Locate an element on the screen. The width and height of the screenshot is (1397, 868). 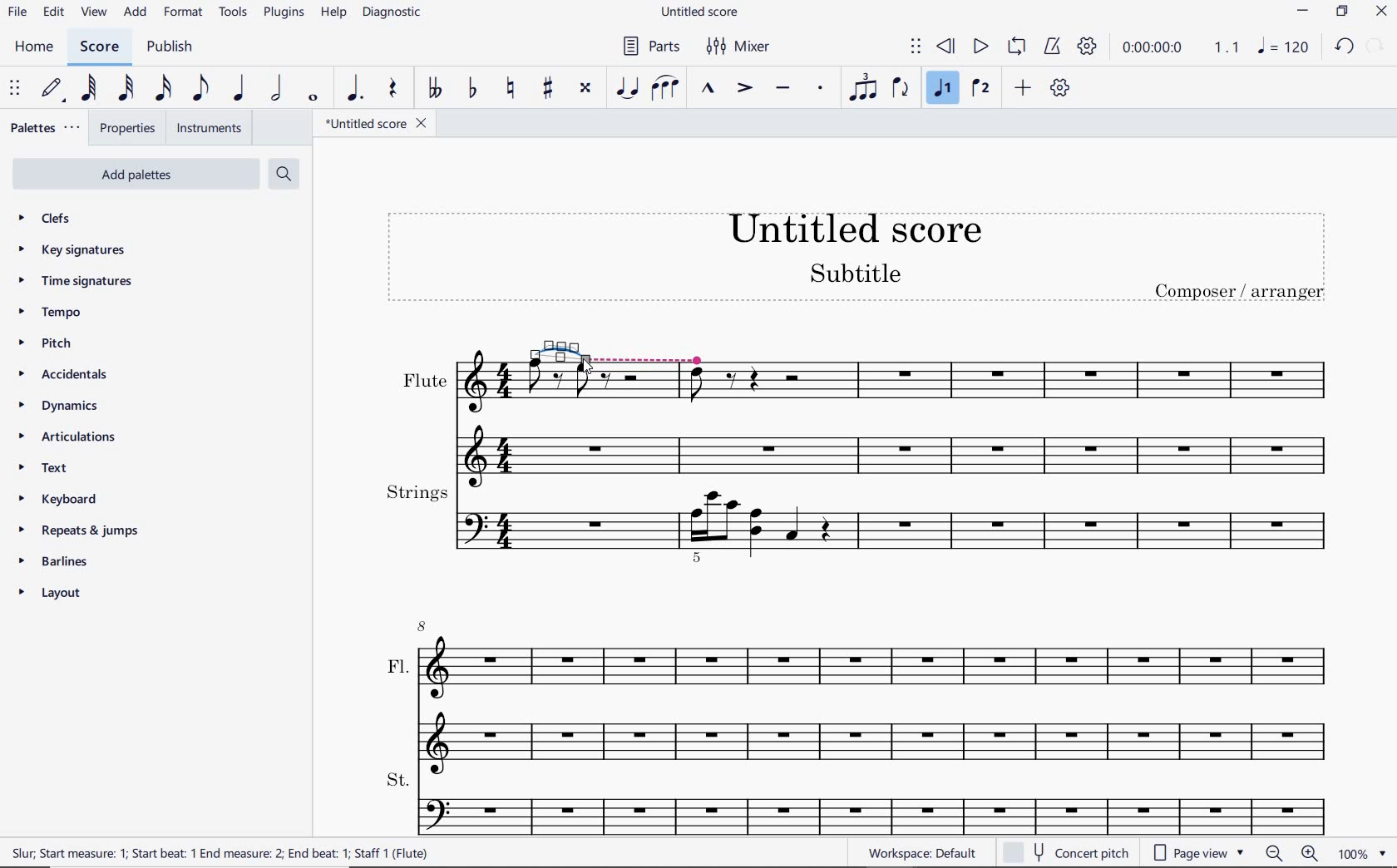
SCORE is located at coordinates (106, 46).